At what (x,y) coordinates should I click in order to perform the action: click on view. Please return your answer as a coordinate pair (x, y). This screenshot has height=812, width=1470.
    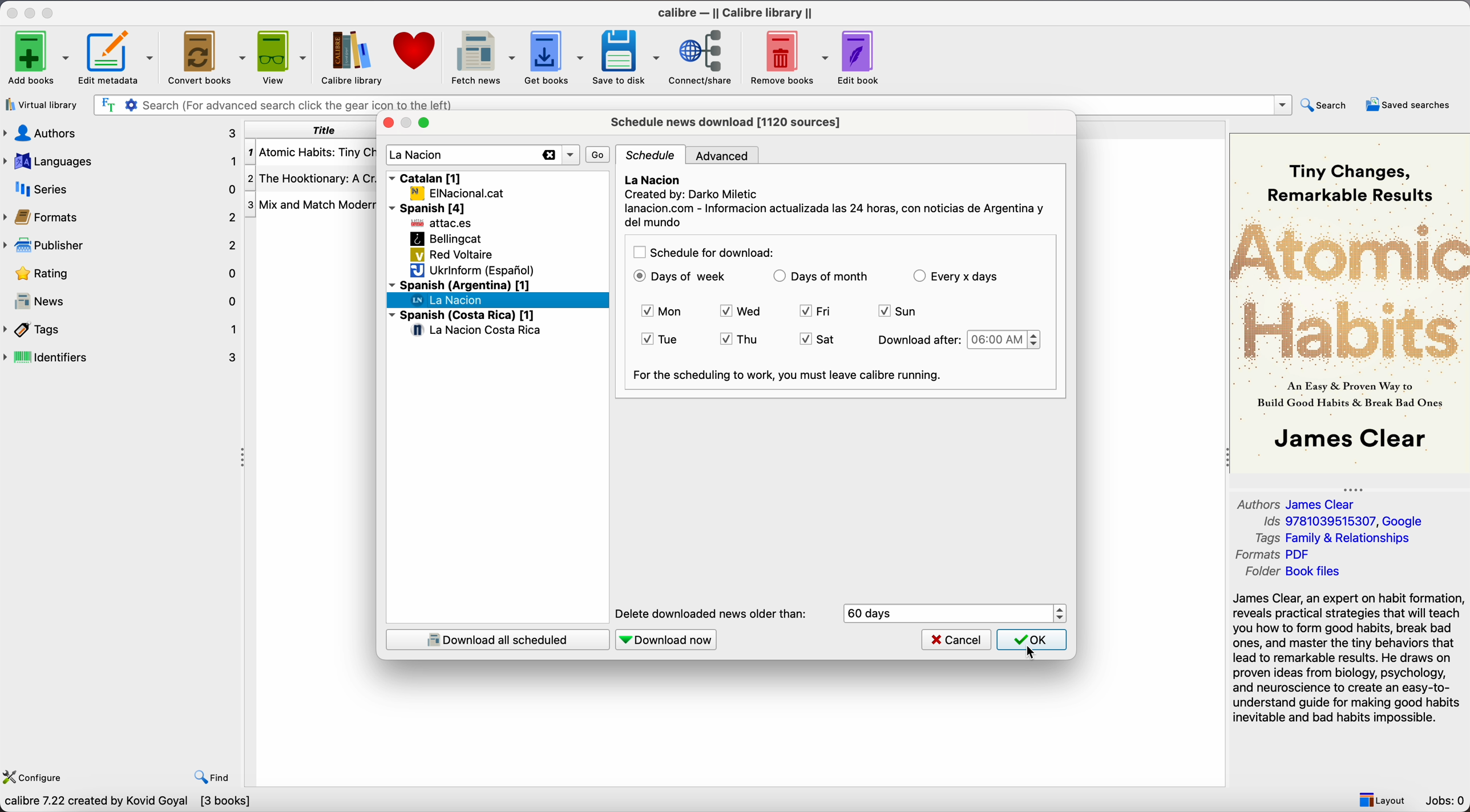
    Looking at the image, I should click on (281, 57).